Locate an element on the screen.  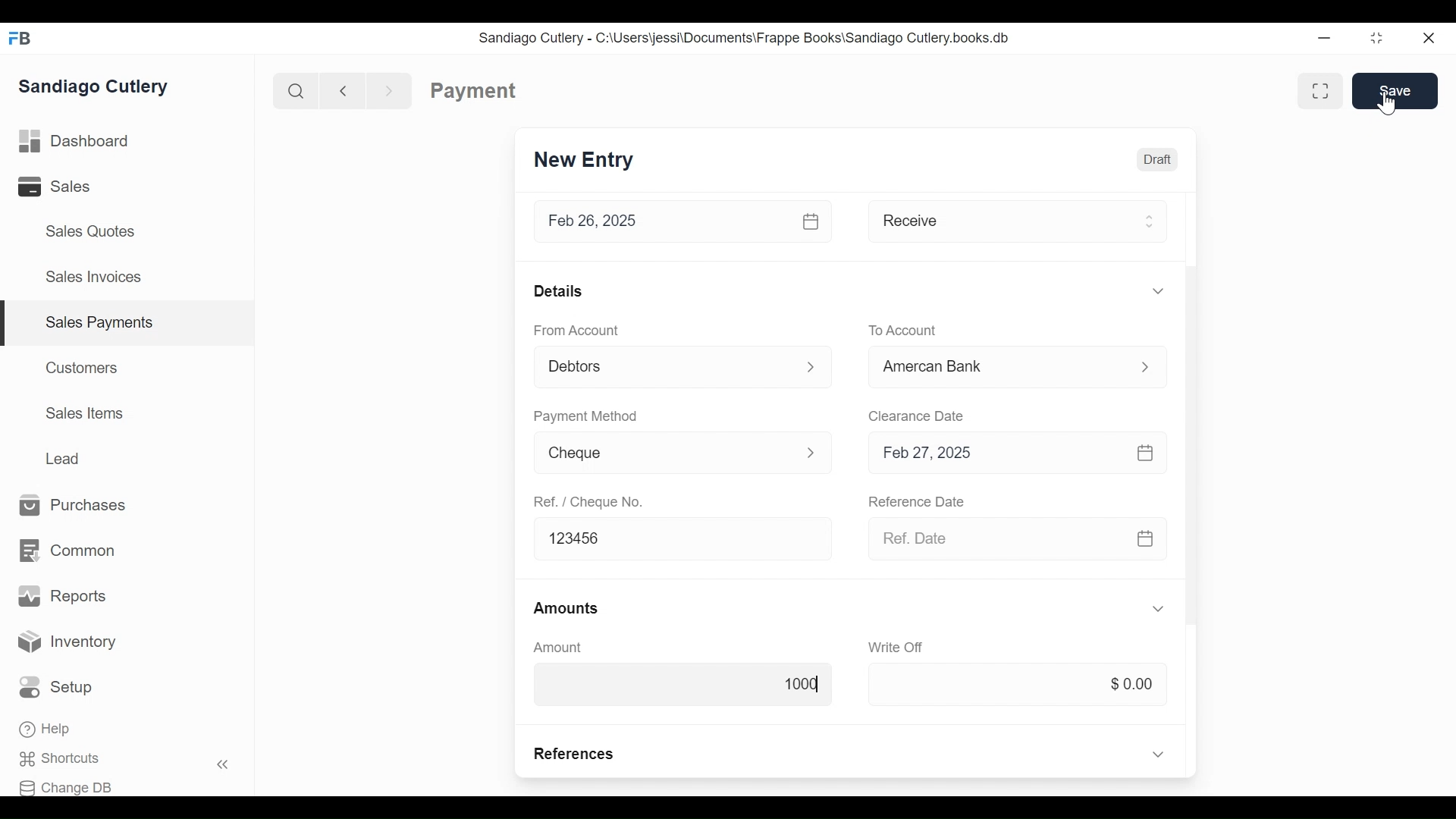
References is located at coordinates (576, 754).